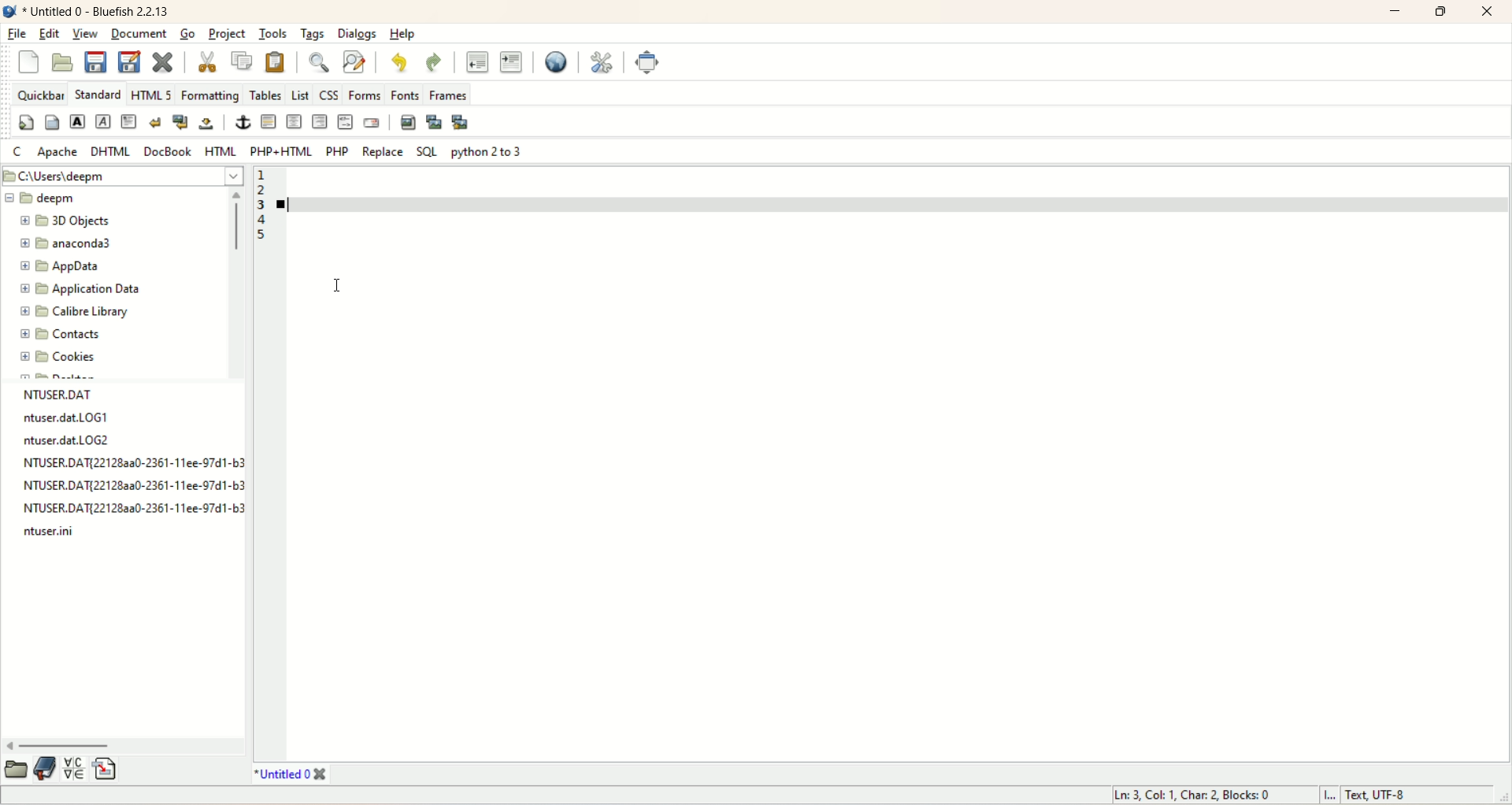 The image size is (1512, 805). Describe the element at coordinates (364, 95) in the screenshot. I see `forms` at that location.